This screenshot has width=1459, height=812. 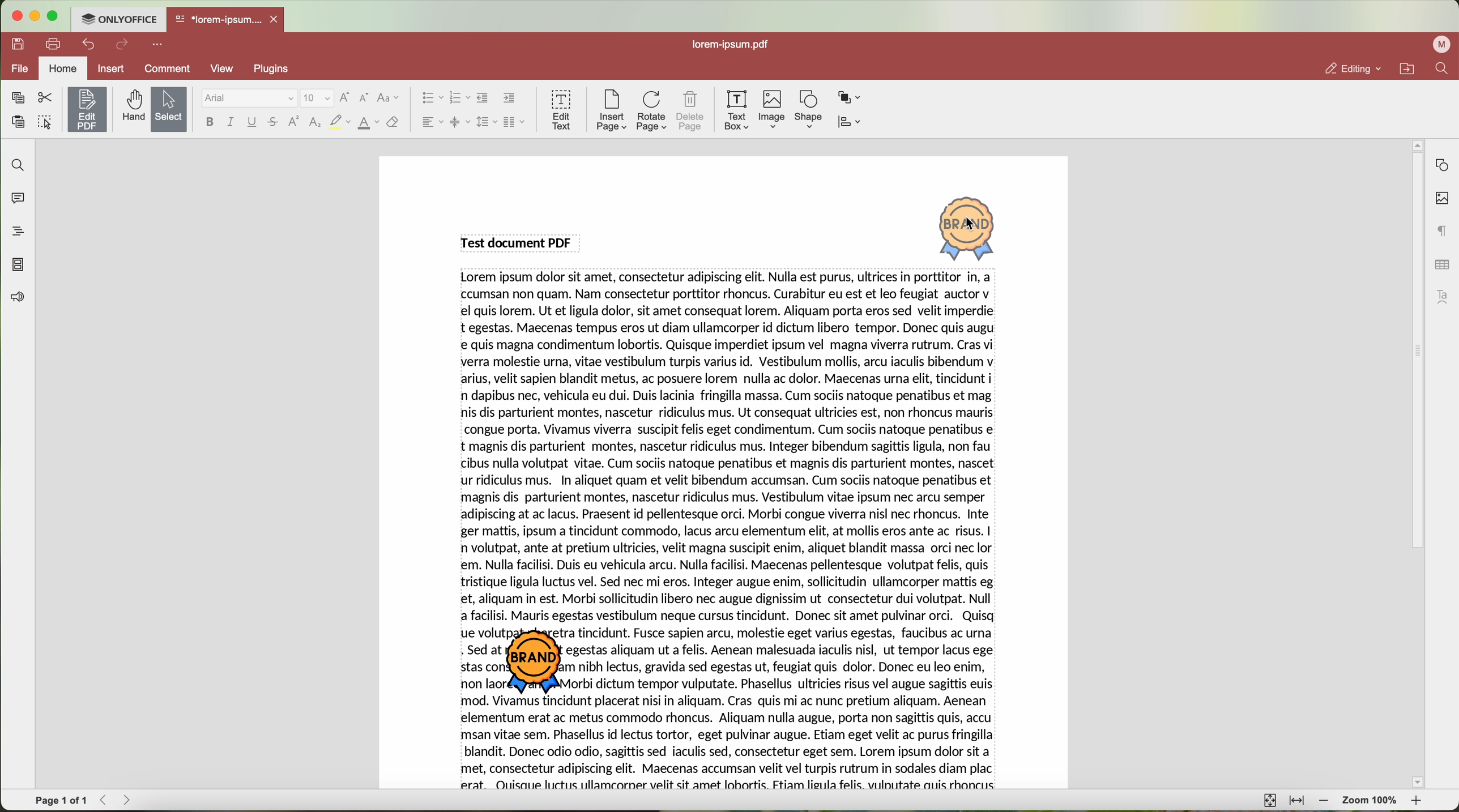 I want to click on decrement font size, so click(x=364, y=99).